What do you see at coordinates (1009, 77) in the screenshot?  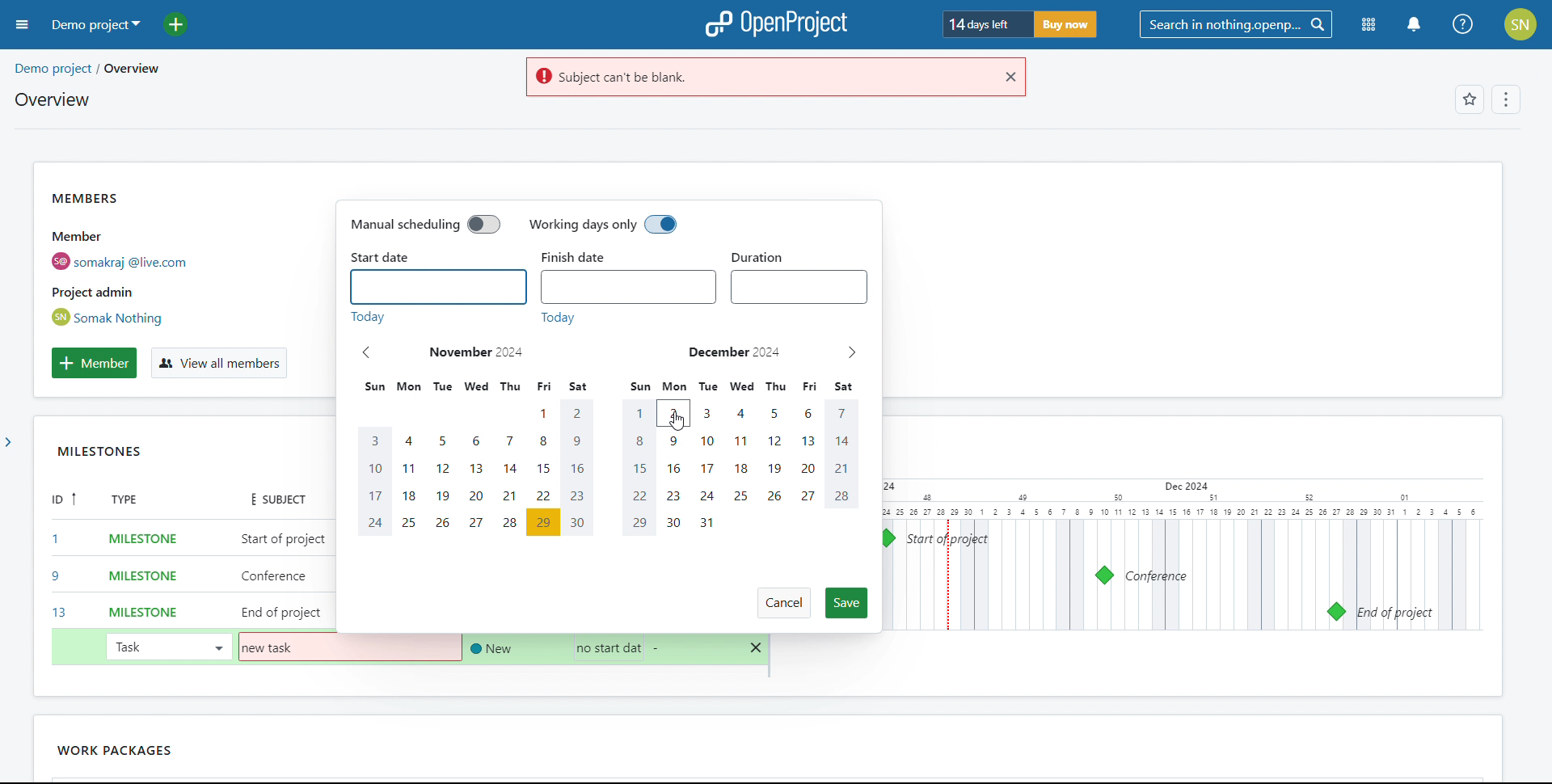 I see `close warning` at bounding box center [1009, 77].